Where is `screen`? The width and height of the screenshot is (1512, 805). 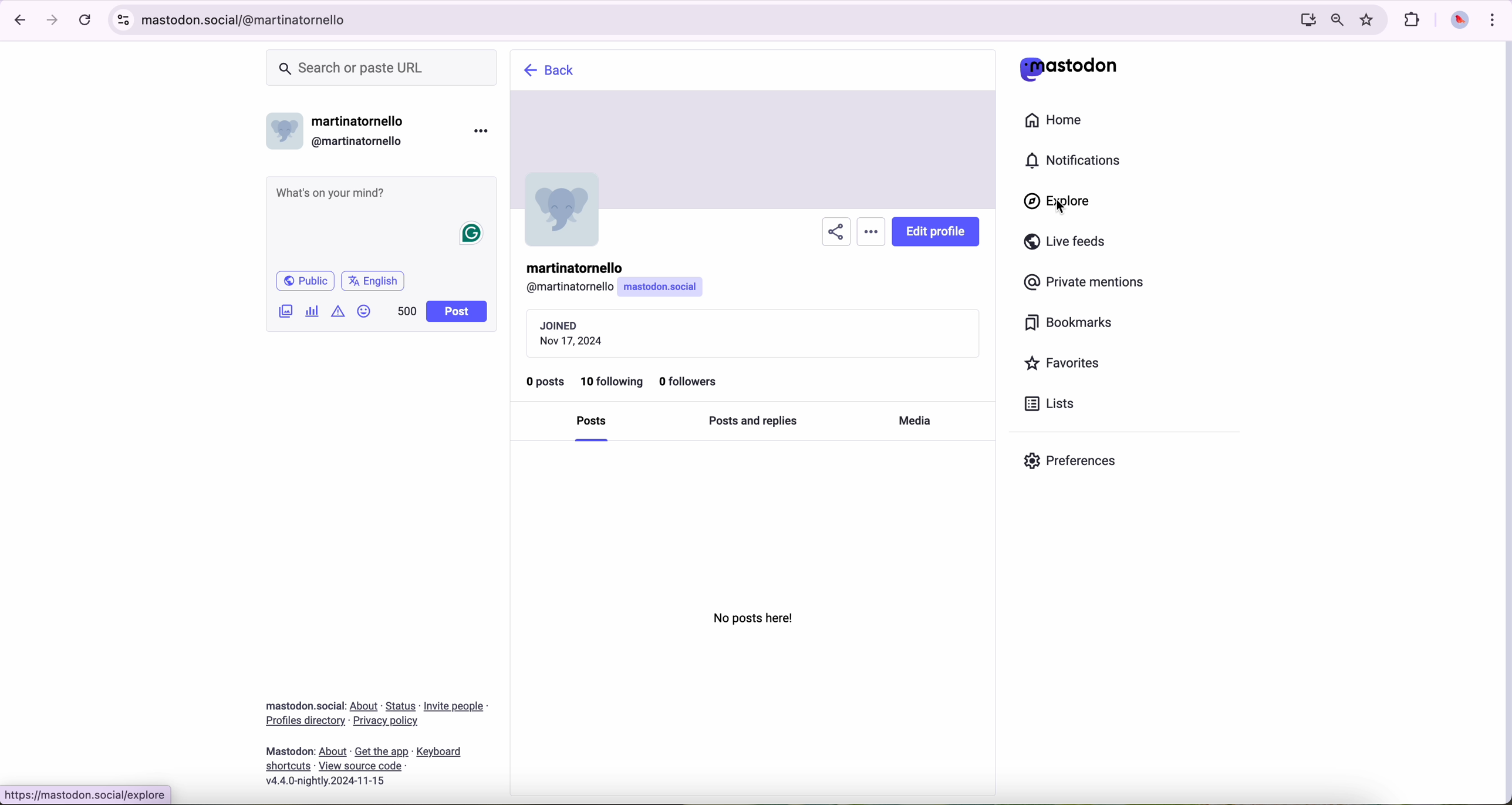
screen is located at coordinates (1305, 21).